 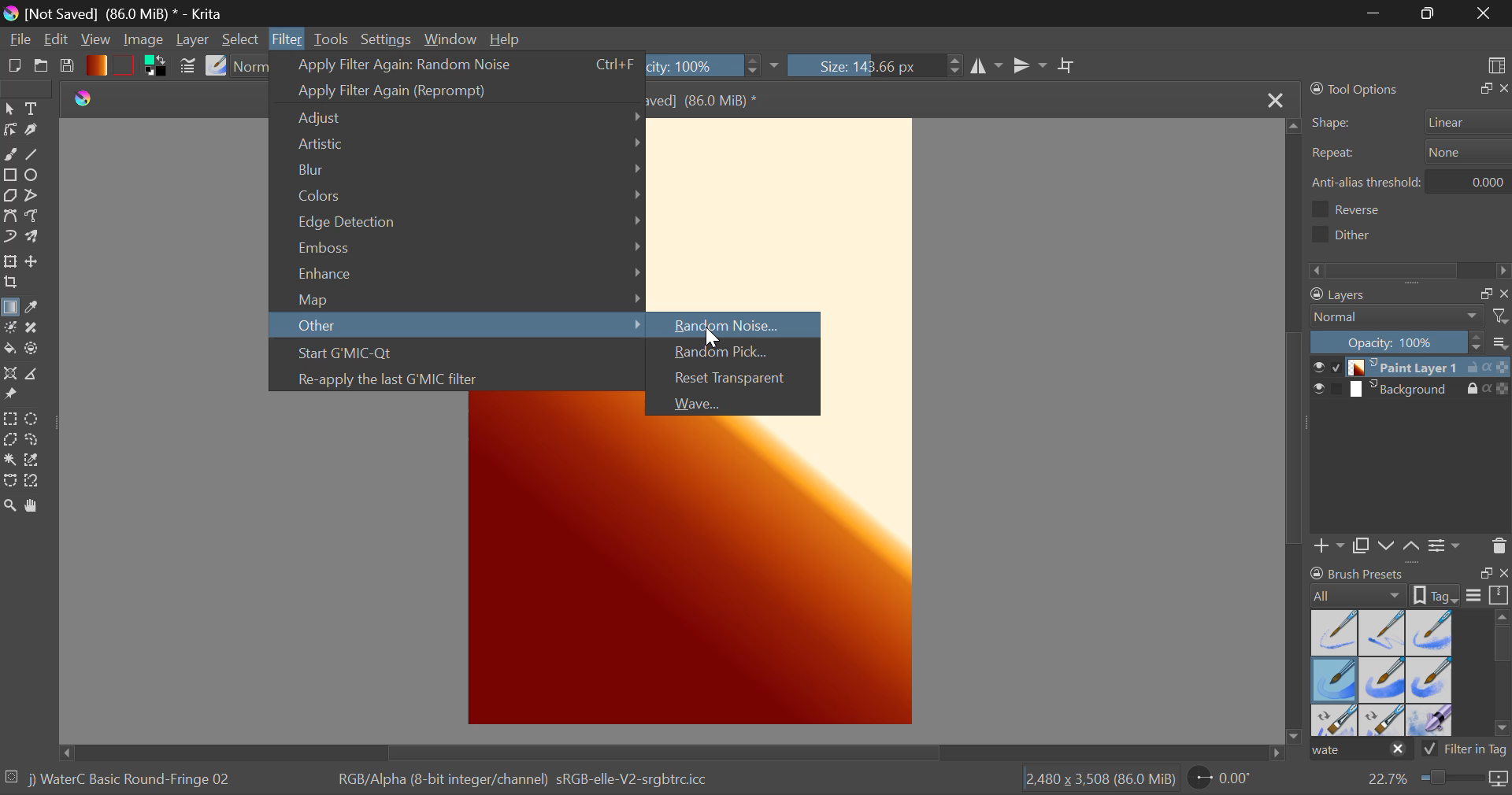 What do you see at coordinates (94, 40) in the screenshot?
I see `View` at bounding box center [94, 40].